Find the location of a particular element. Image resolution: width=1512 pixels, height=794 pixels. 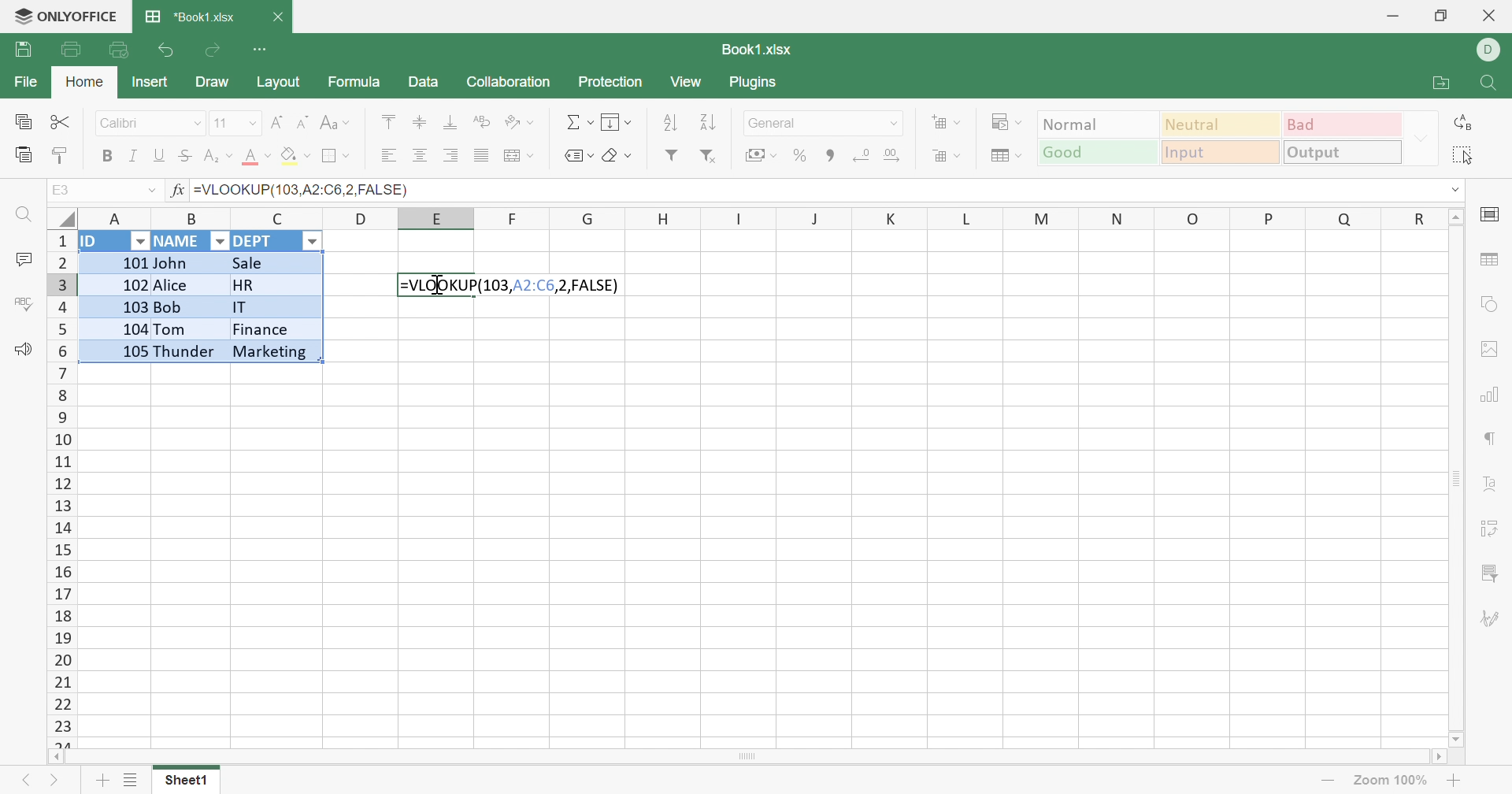

Redo is located at coordinates (217, 48).